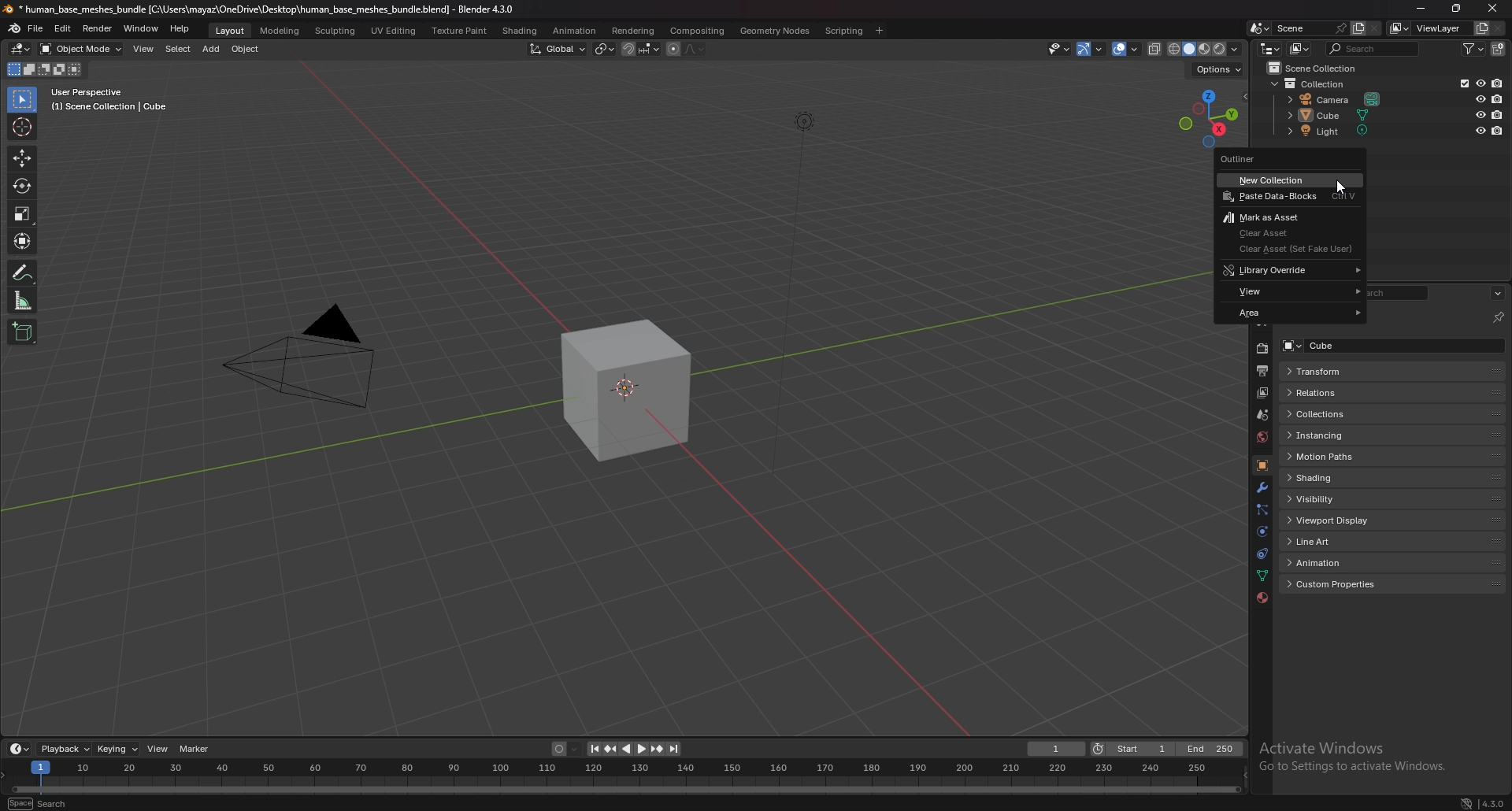 Image resolution: width=1512 pixels, height=811 pixels. Describe the element at coordinates (1480, 130) in the screenshot. I see `hide in viewport` at that location.